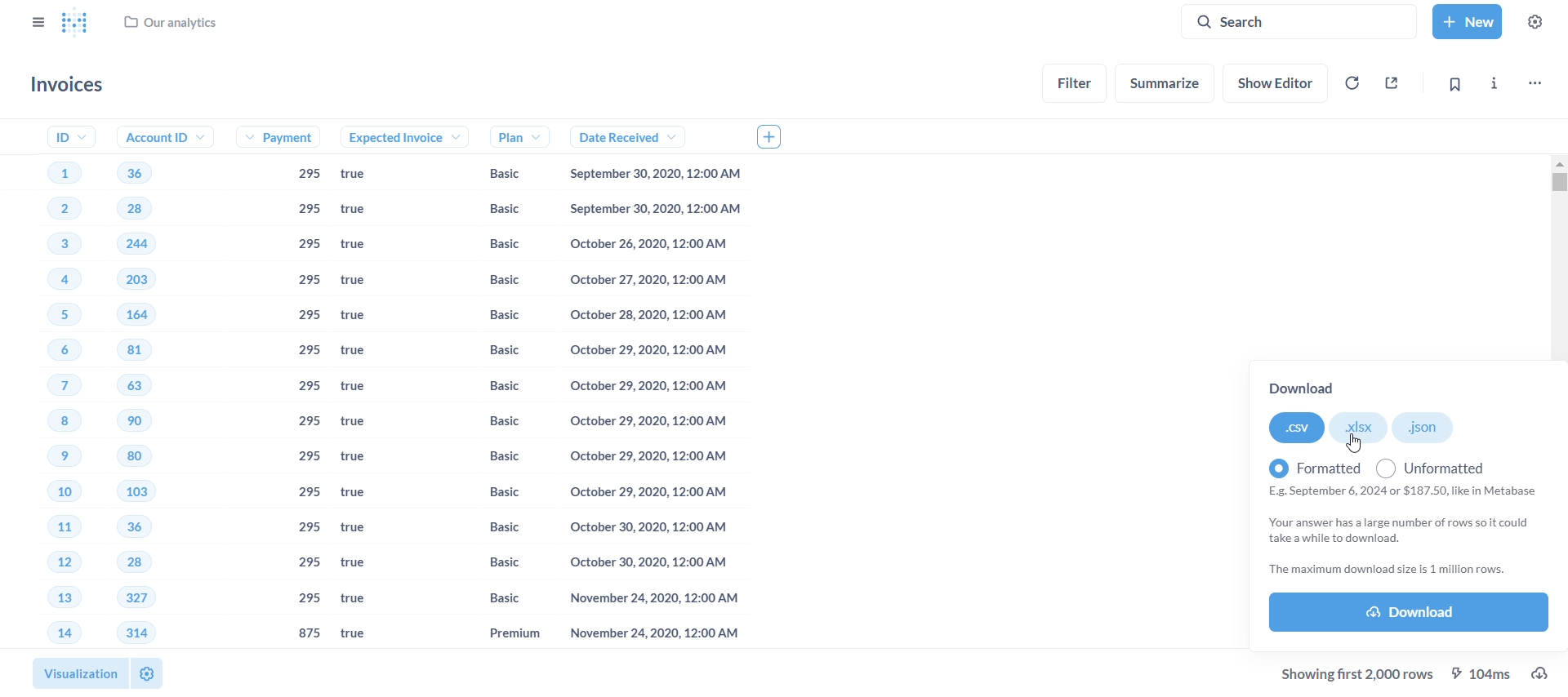 This screenshot has width=1568, height=697. Describe the element at coordinates (493, 457) in the screenshot. I see `Basic` at that location.